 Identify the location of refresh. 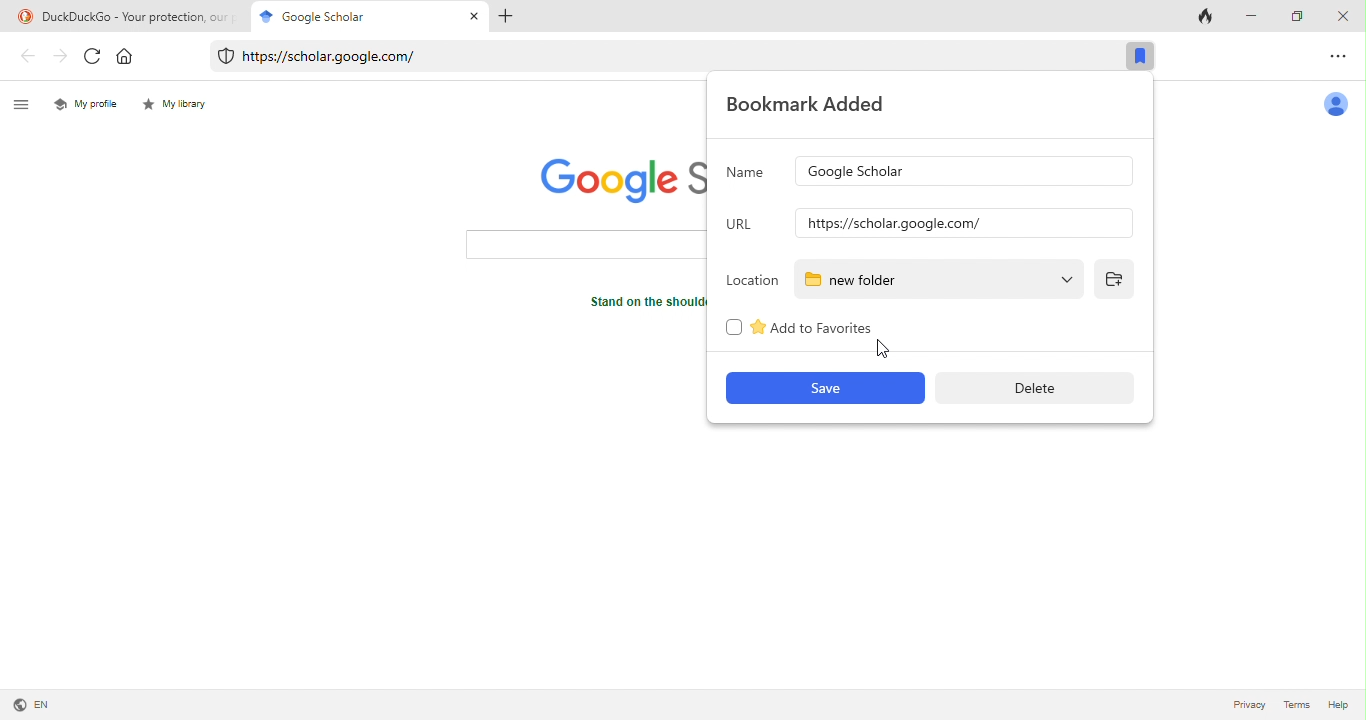
(94, 59).